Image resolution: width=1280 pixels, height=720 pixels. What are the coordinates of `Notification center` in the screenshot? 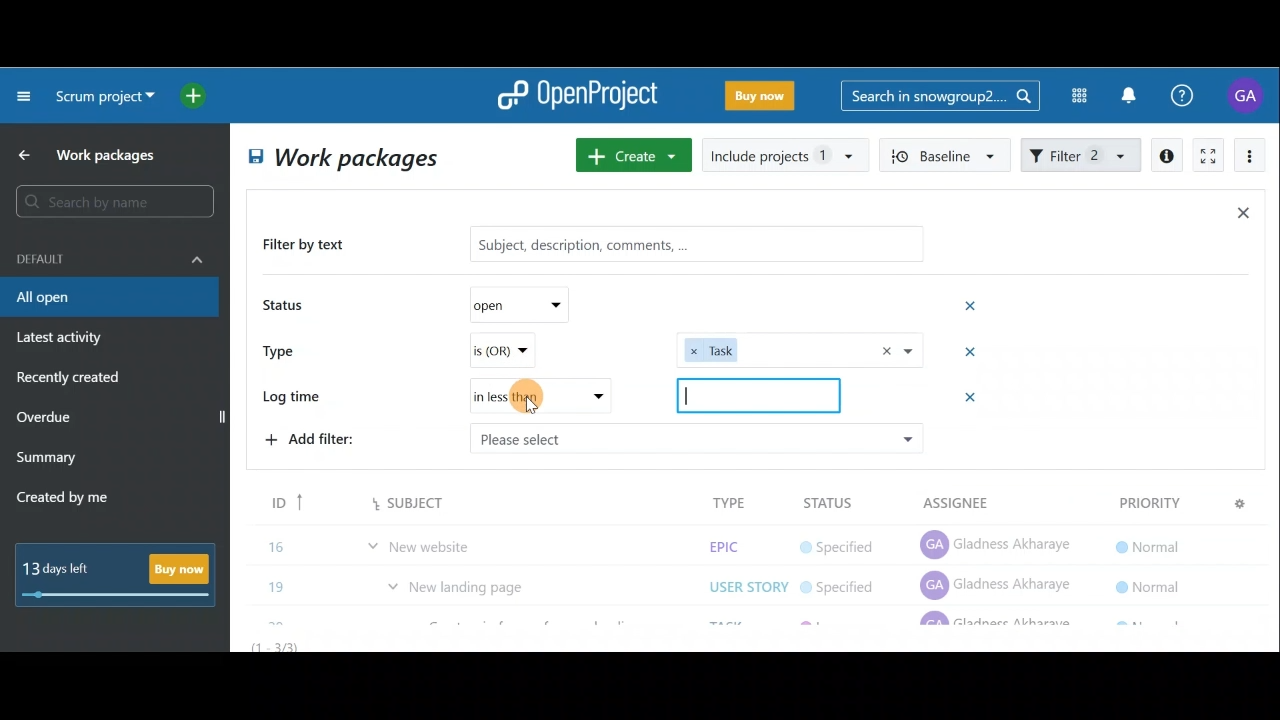 It's located at (1131, 93).